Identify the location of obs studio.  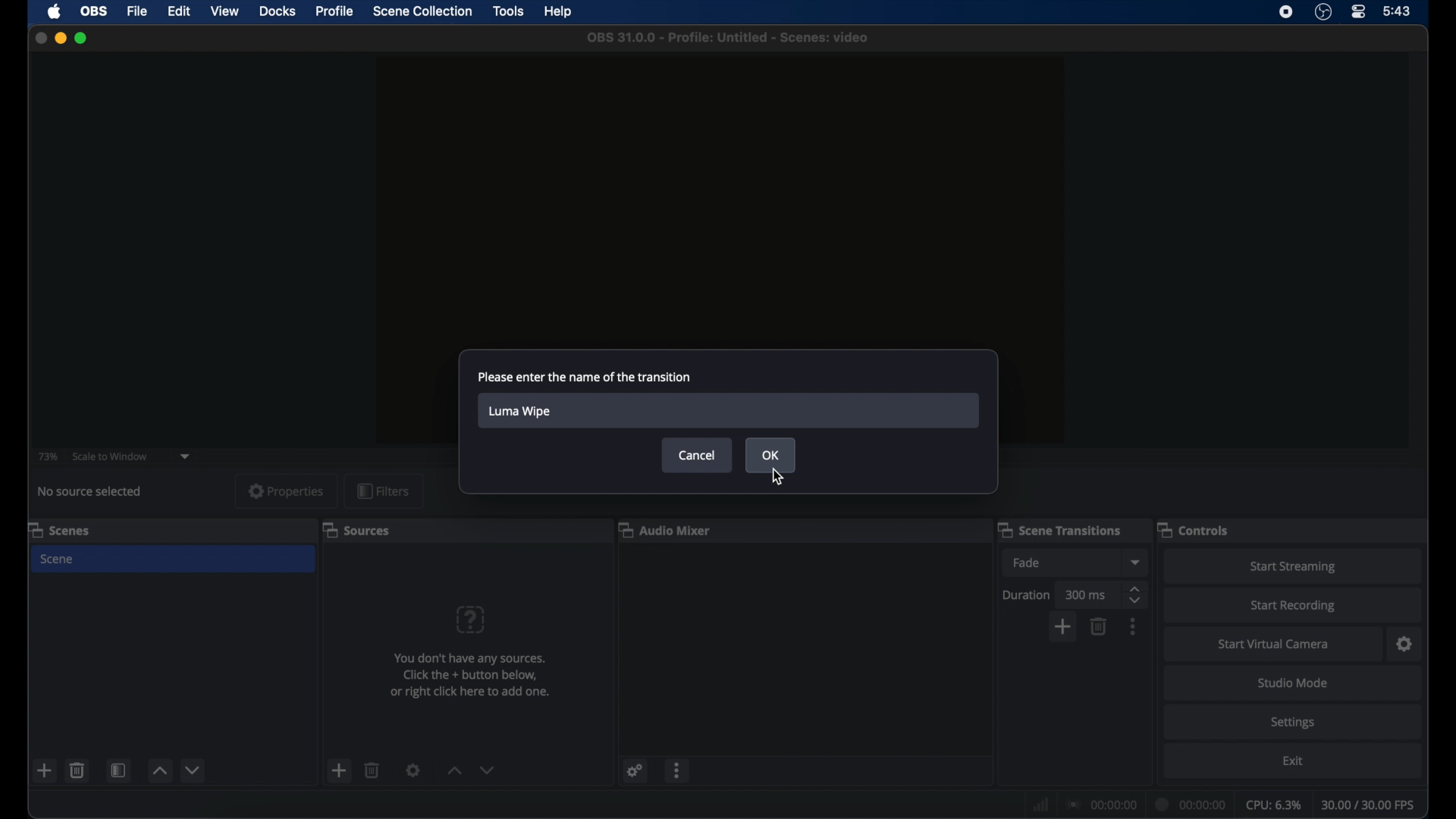
(1323, 12).